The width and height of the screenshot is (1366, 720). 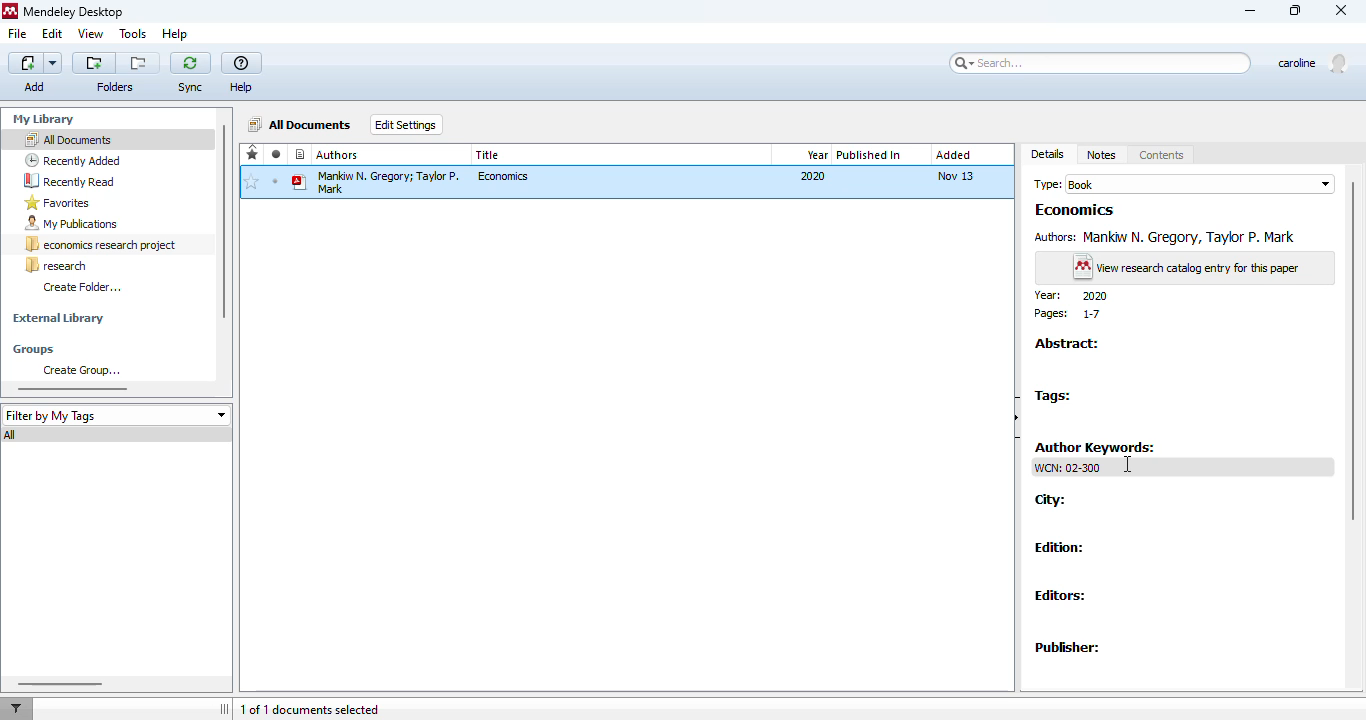 I want to click on author keywords: , so click(x=1097, y=447).